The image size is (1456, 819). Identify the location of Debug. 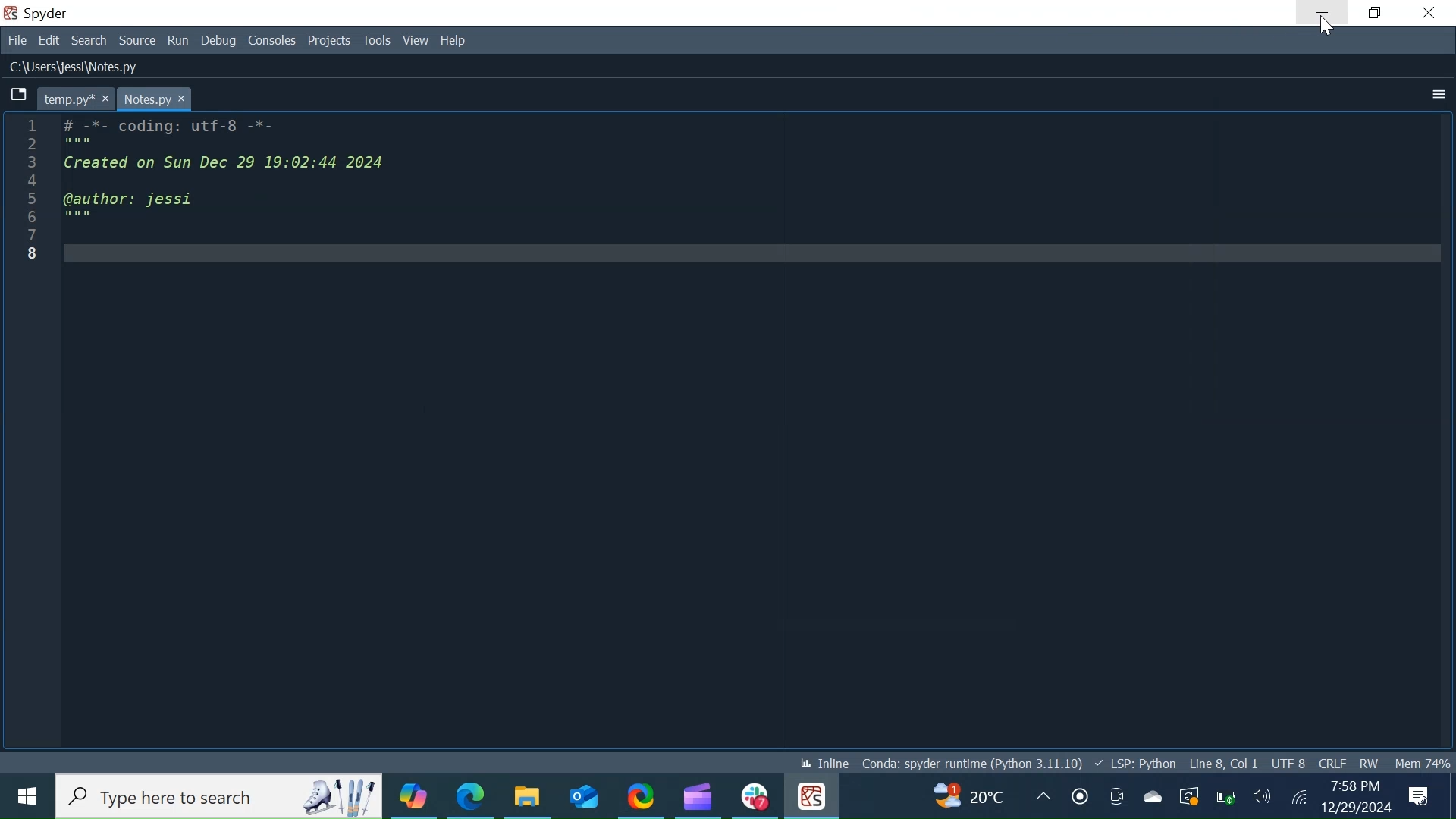
(220, 42).